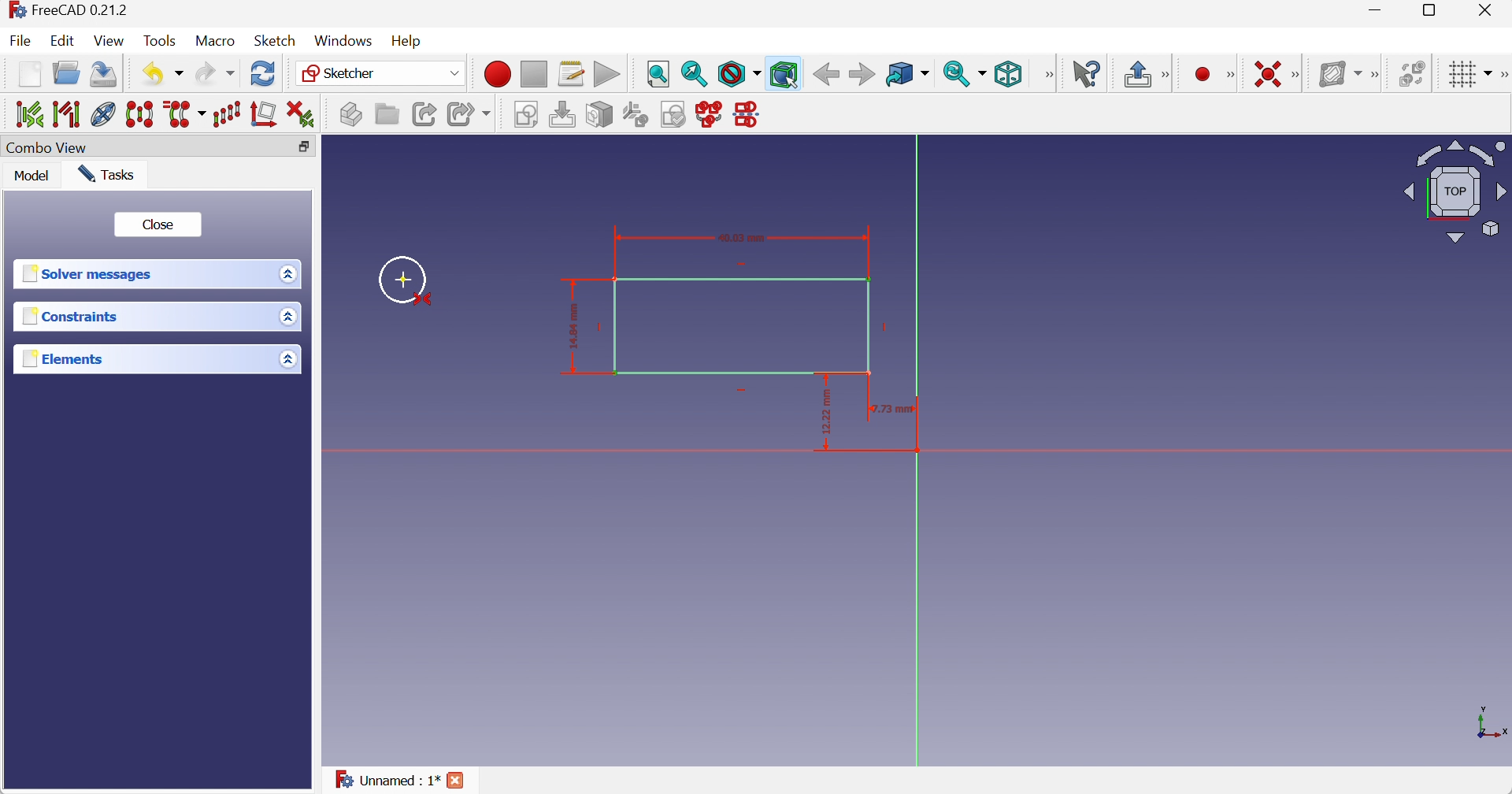  I want to click on Rectangular array, so click(228, 114).